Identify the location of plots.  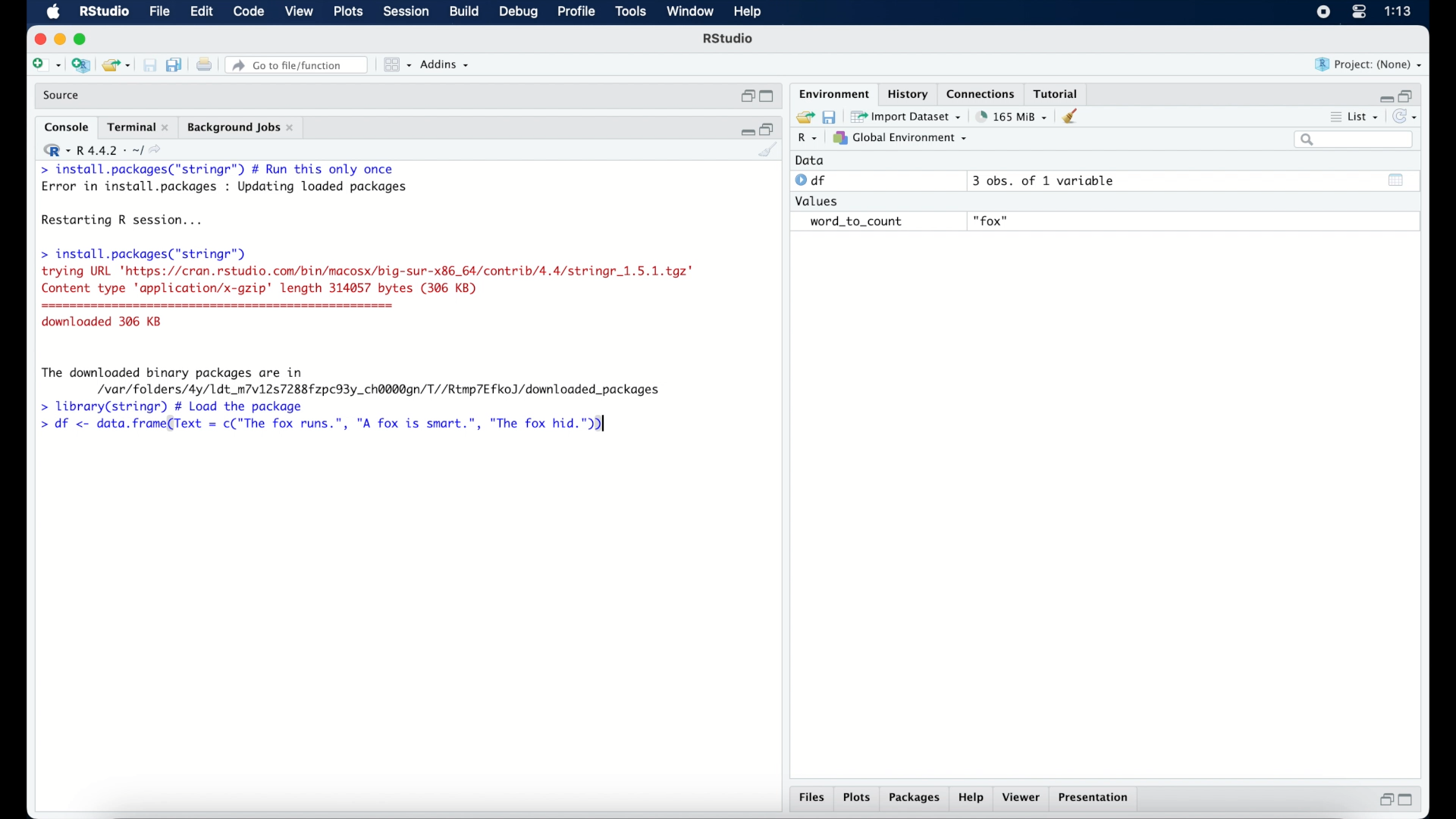
(350, 12).